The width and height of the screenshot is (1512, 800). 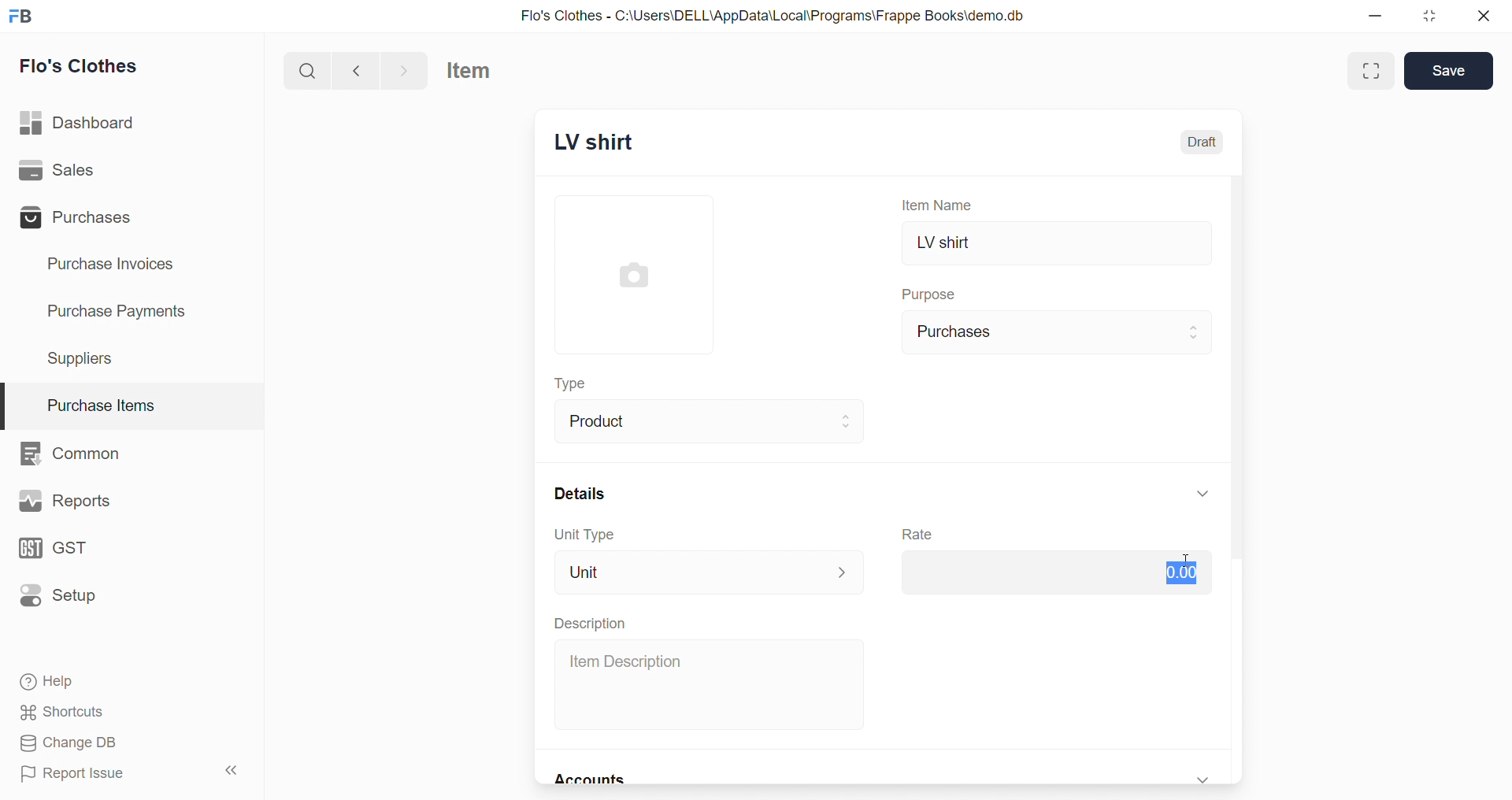 I want to click on LV shirt, so click(x=1058, y=245).